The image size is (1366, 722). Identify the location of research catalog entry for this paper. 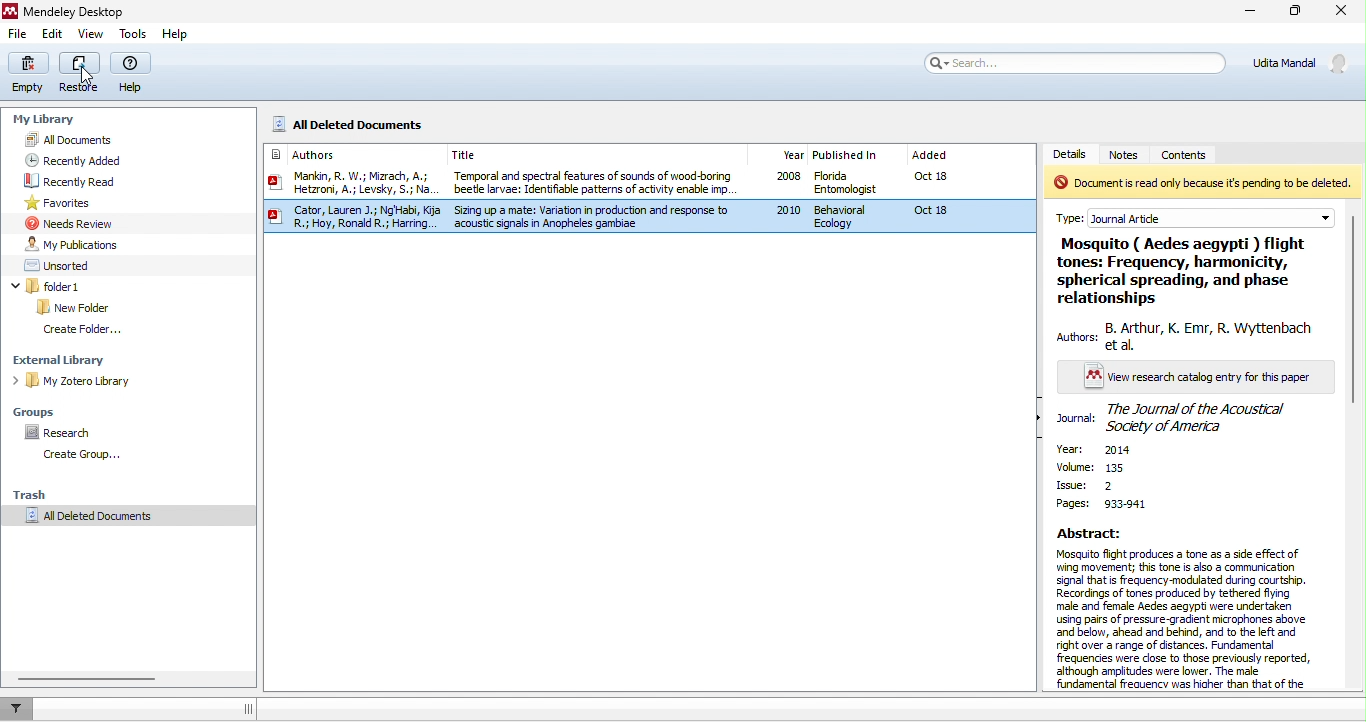
(1188, 378).